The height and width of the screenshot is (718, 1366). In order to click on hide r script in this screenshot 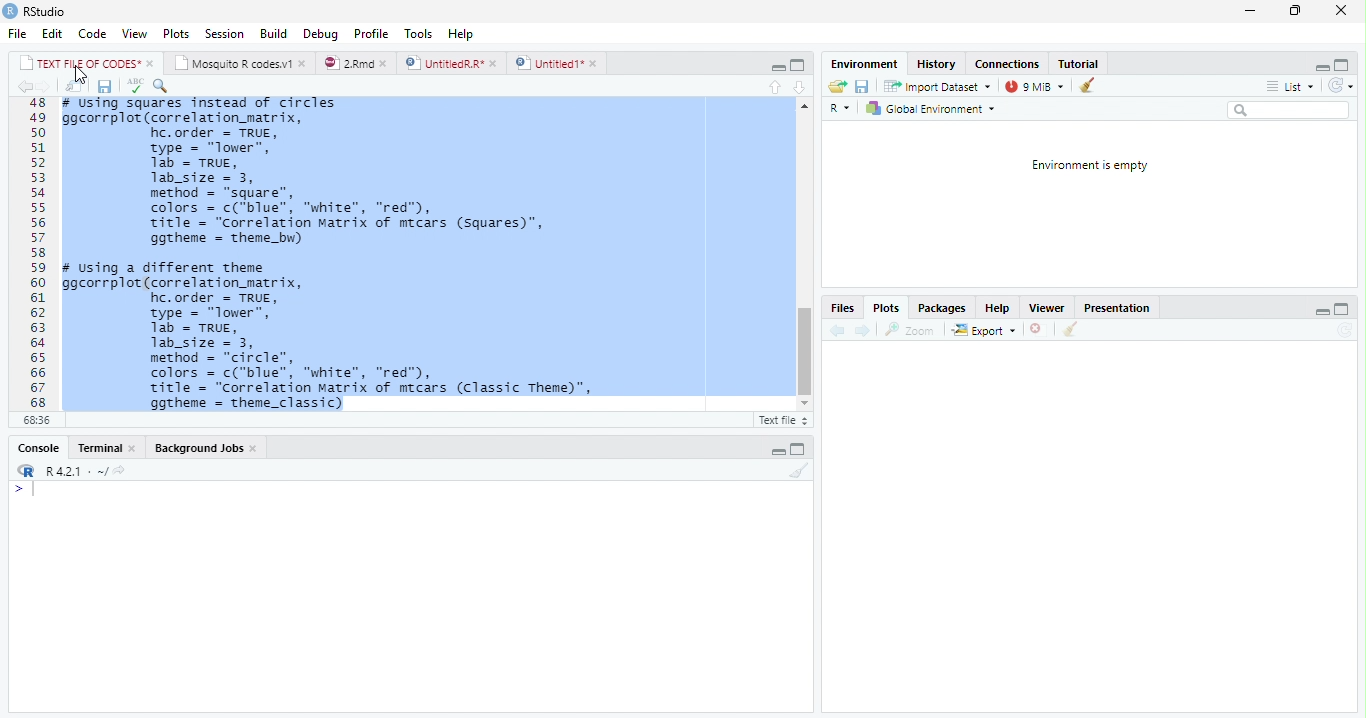, I will do `click(1321, 66)`.